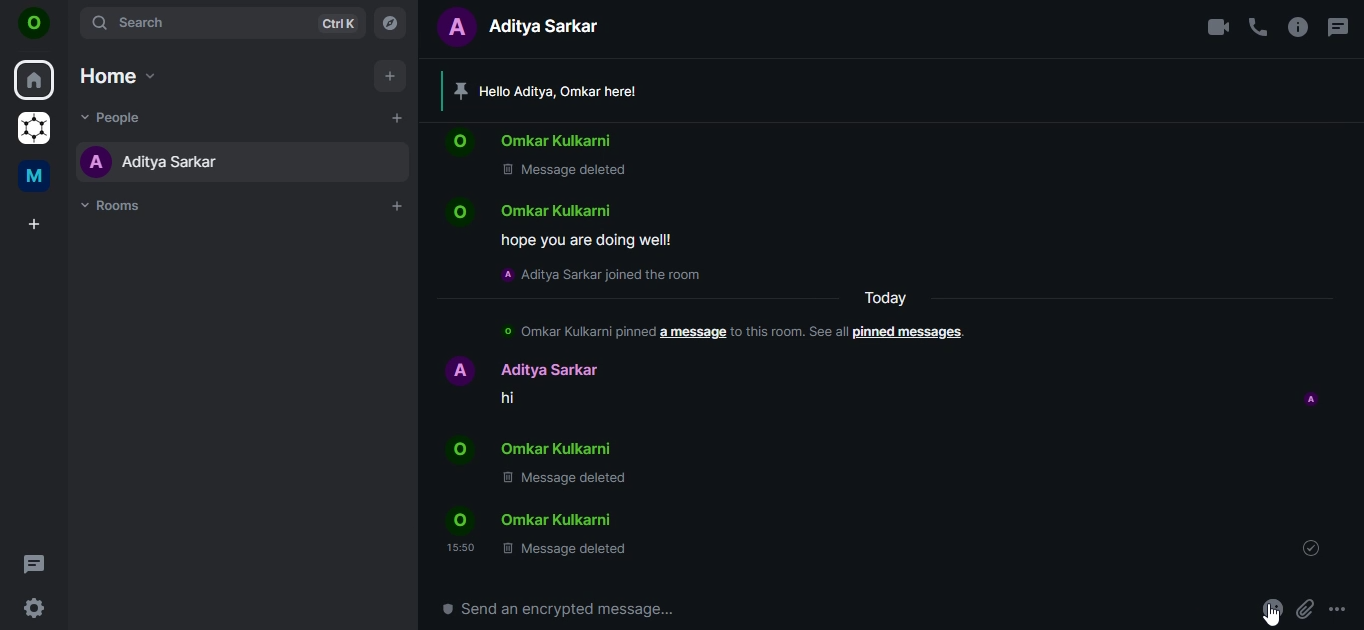 The image size is (1364, 630). I want to click on search, so click(222, 23).